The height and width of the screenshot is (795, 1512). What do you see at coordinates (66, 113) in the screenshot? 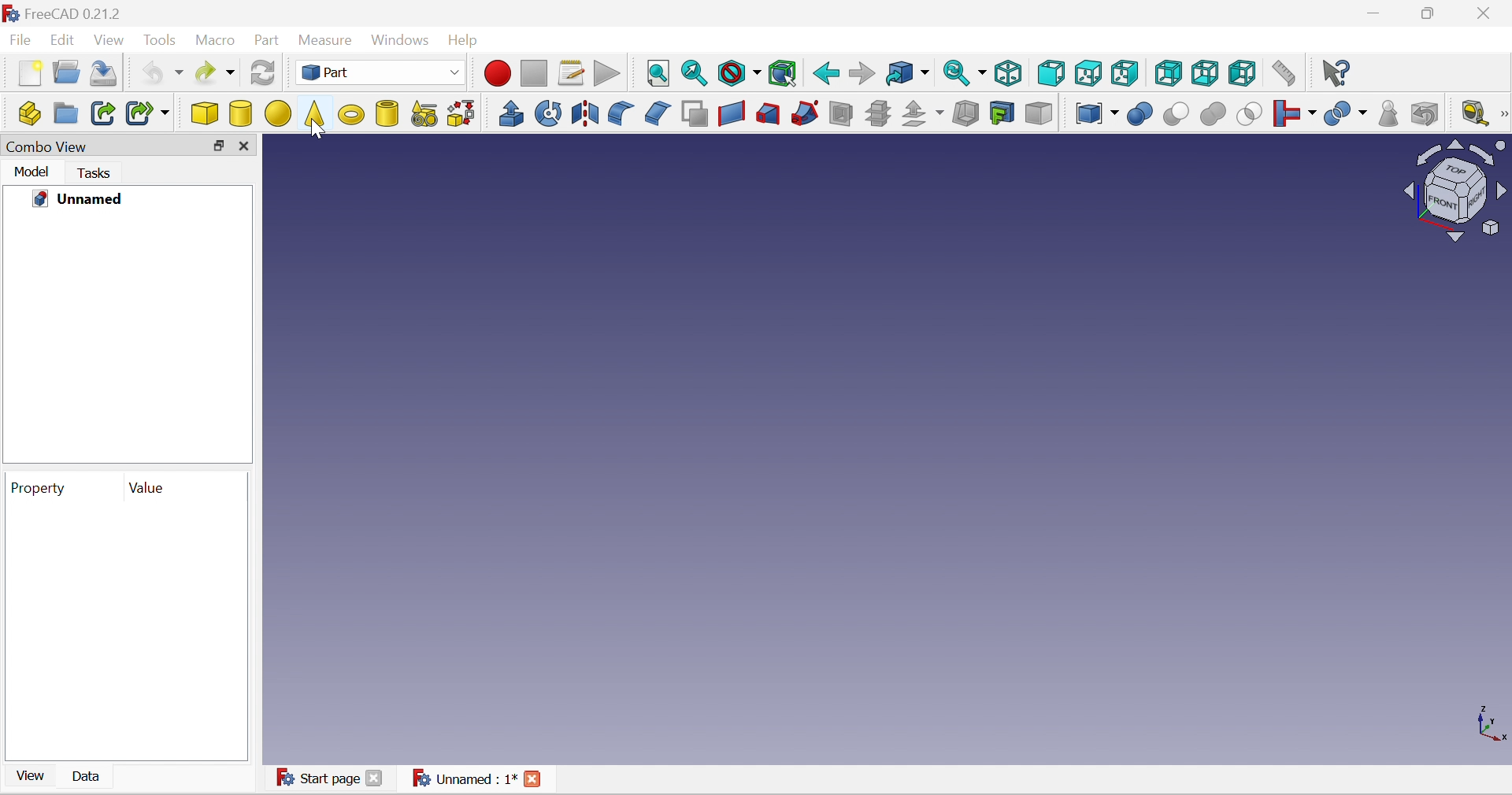
I see `Create group` at bounding box center [66, 113].